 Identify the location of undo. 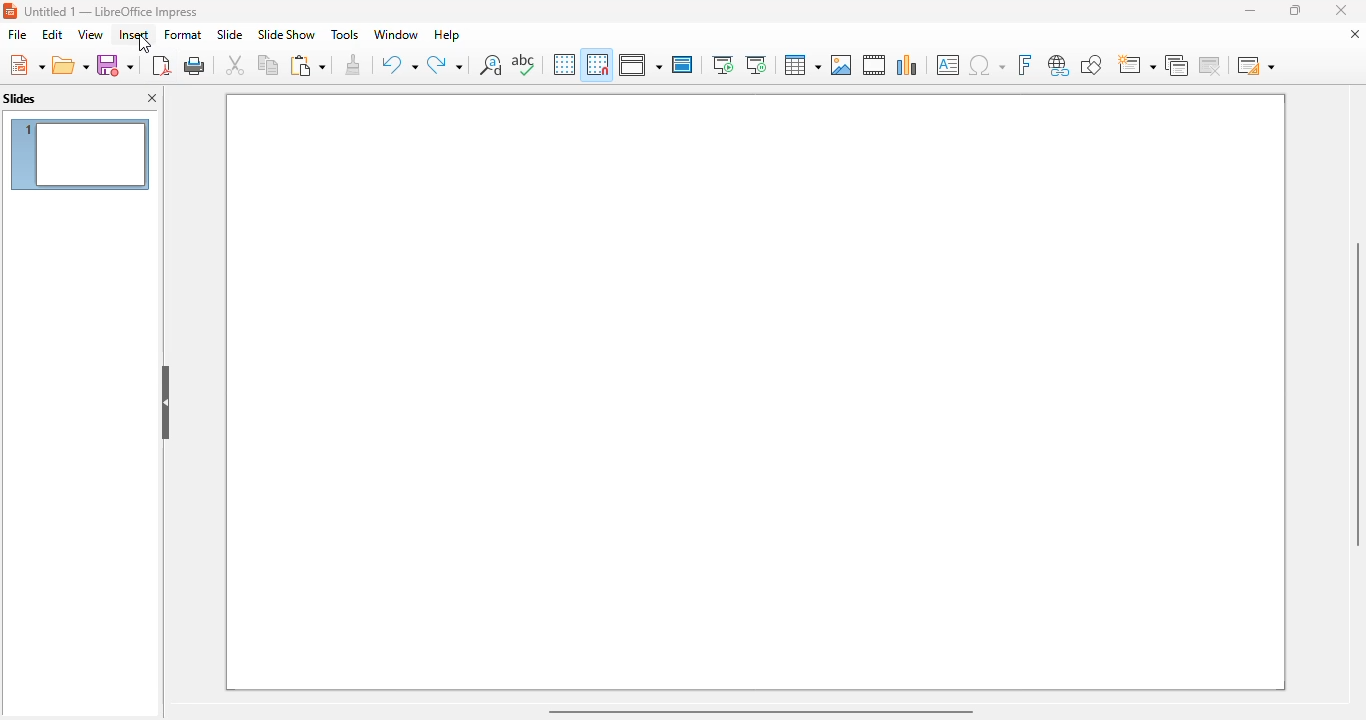
(399, 65).